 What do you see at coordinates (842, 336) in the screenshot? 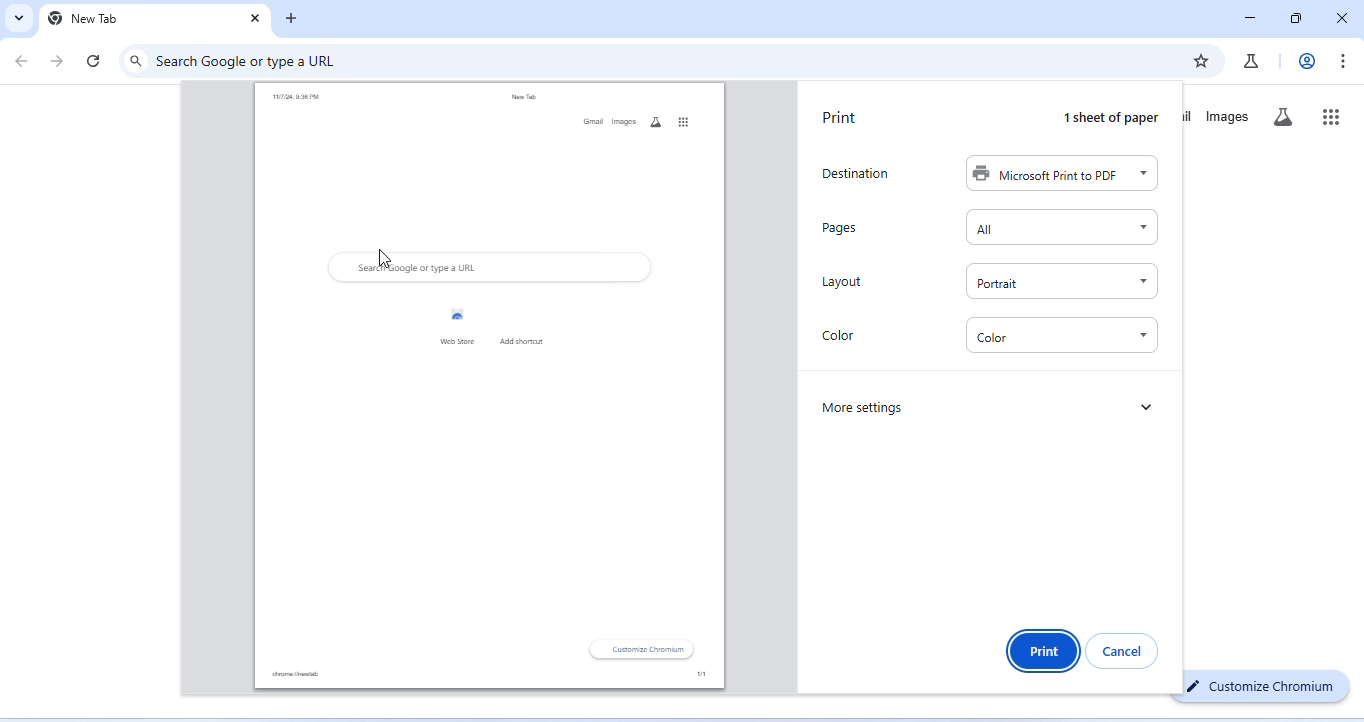
I see `color` at bounding box center [842, 336].